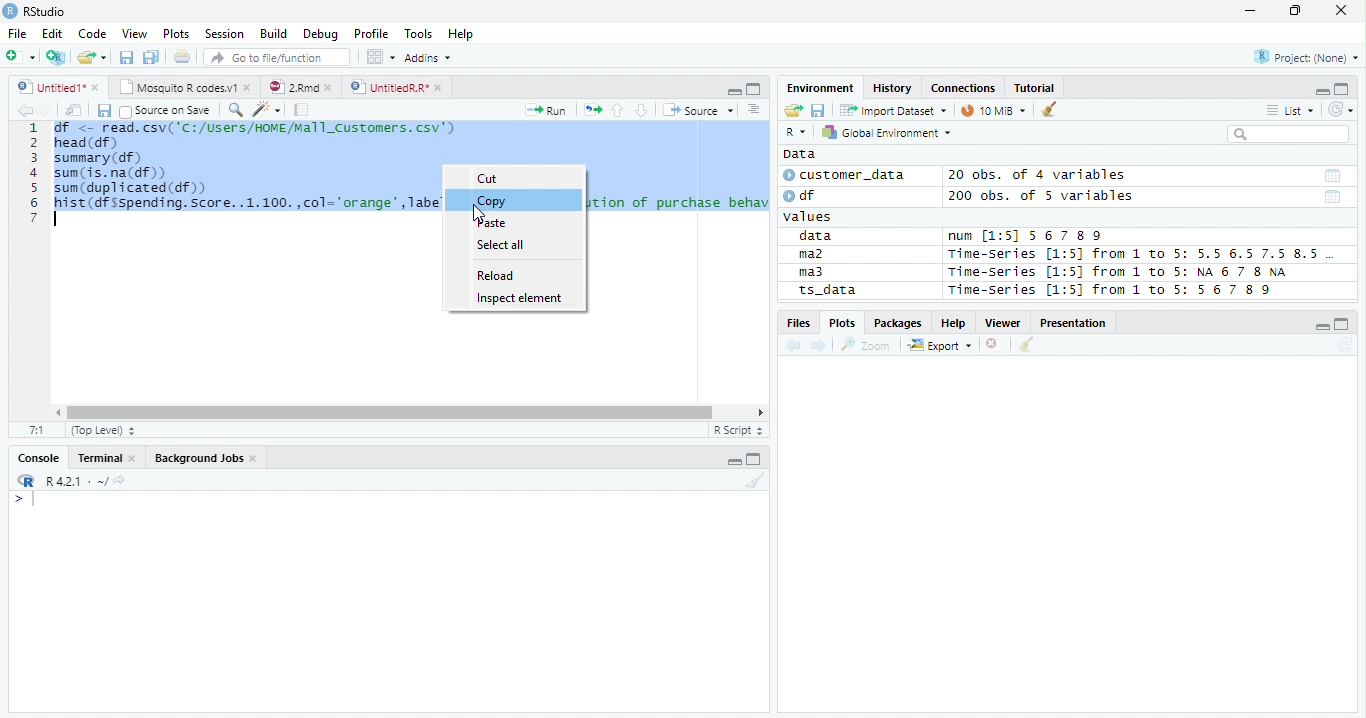  What do you see at coordinates (1289, 111) in the screenshot?
I see `List` at bounding box center [1289, 111].